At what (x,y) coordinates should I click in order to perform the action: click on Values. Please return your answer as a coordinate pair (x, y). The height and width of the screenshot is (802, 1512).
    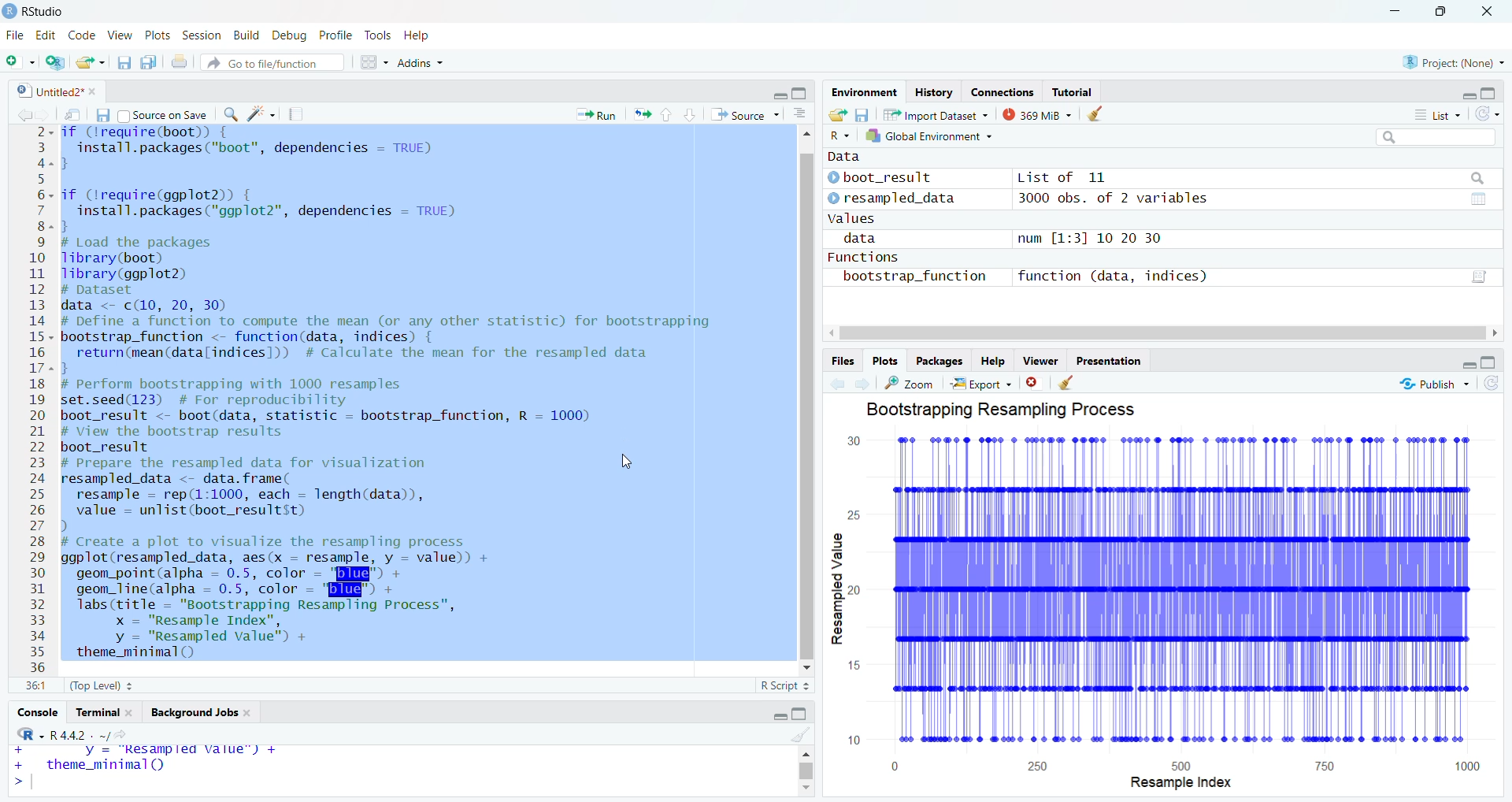
    Looking at the image, I should click on (852, 218).